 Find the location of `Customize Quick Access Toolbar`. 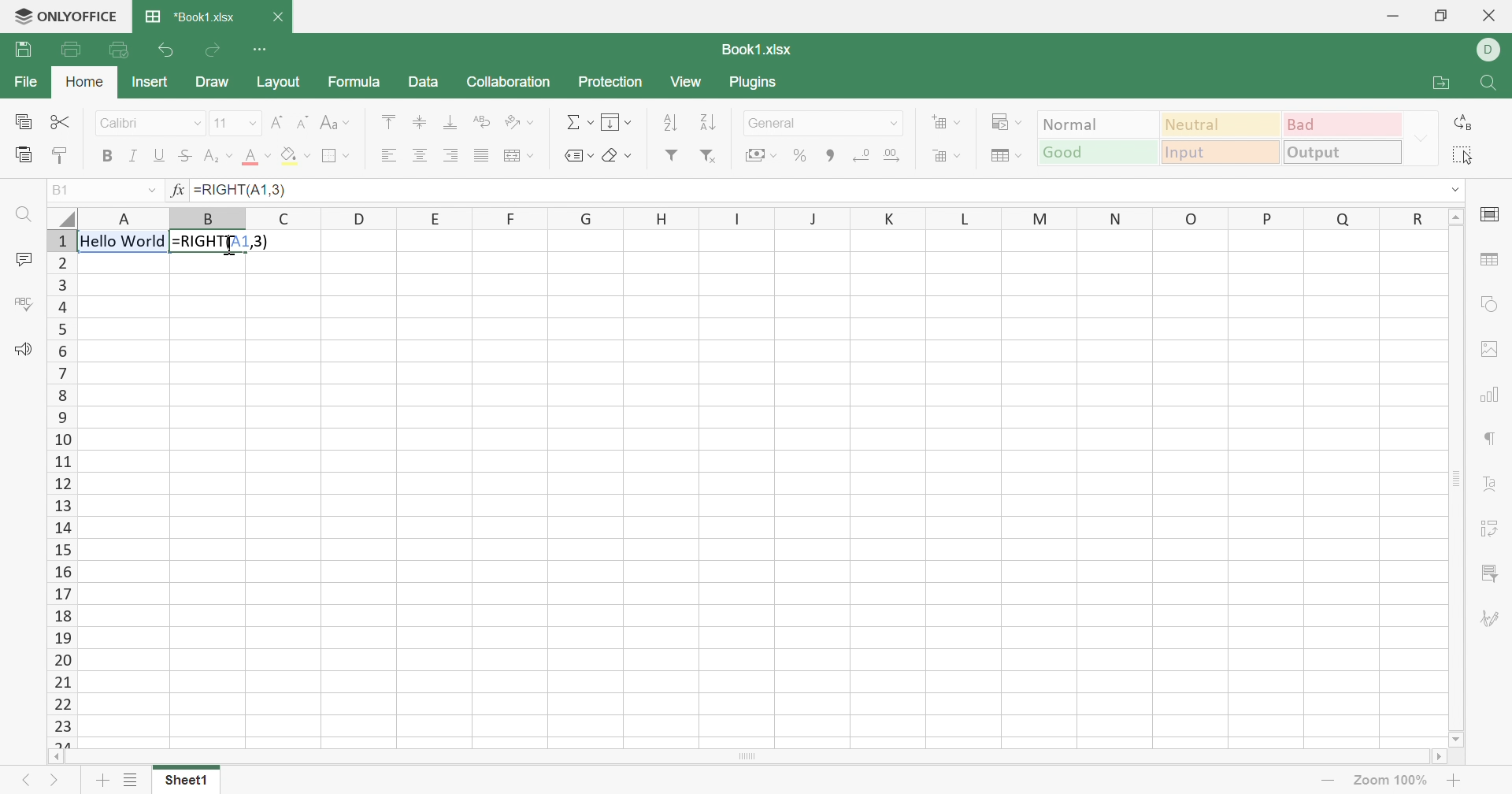

Customize Quick Access Toolbar is located at coordinates (262, 50).